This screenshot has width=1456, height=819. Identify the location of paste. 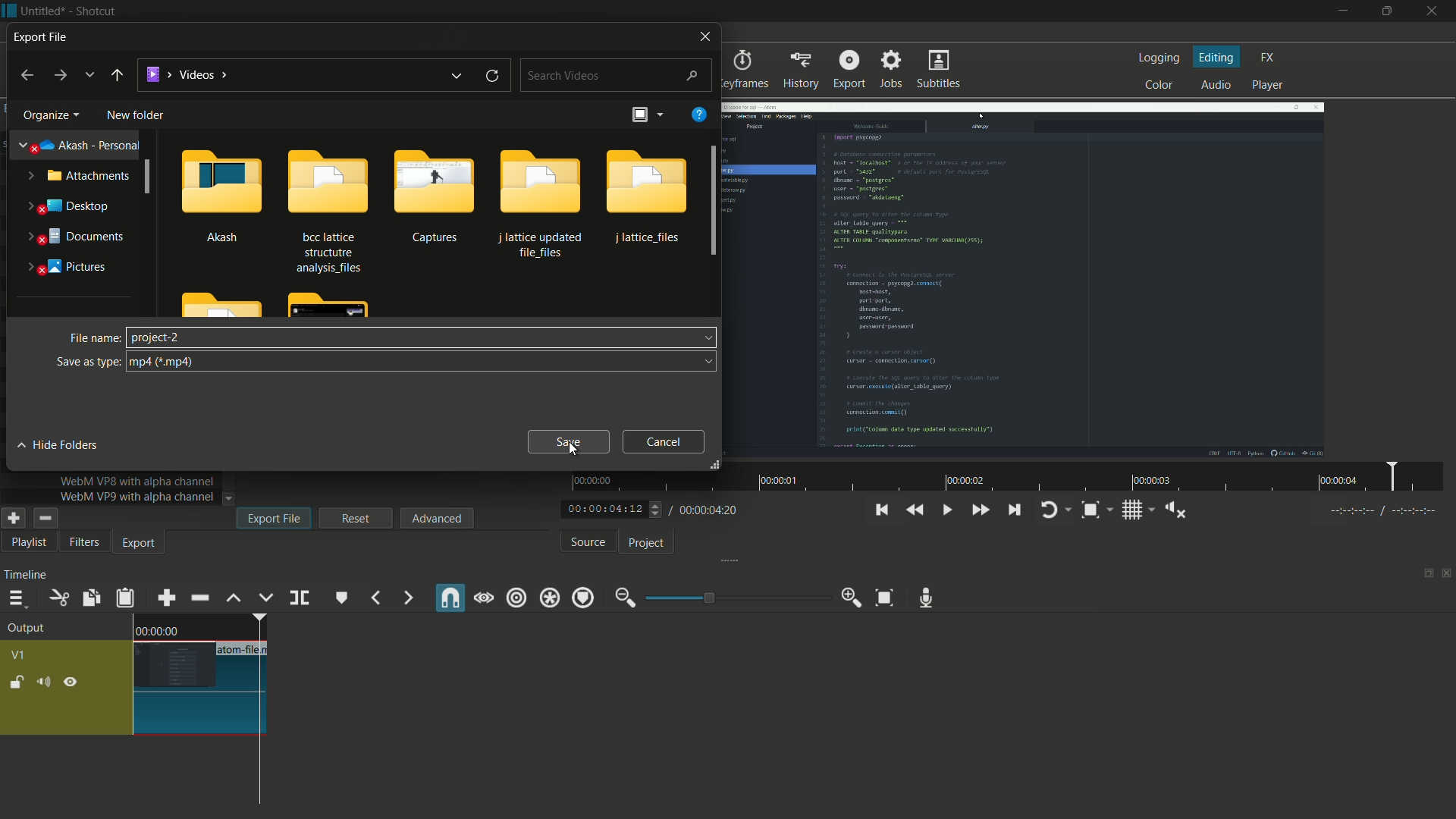
(127, 600).